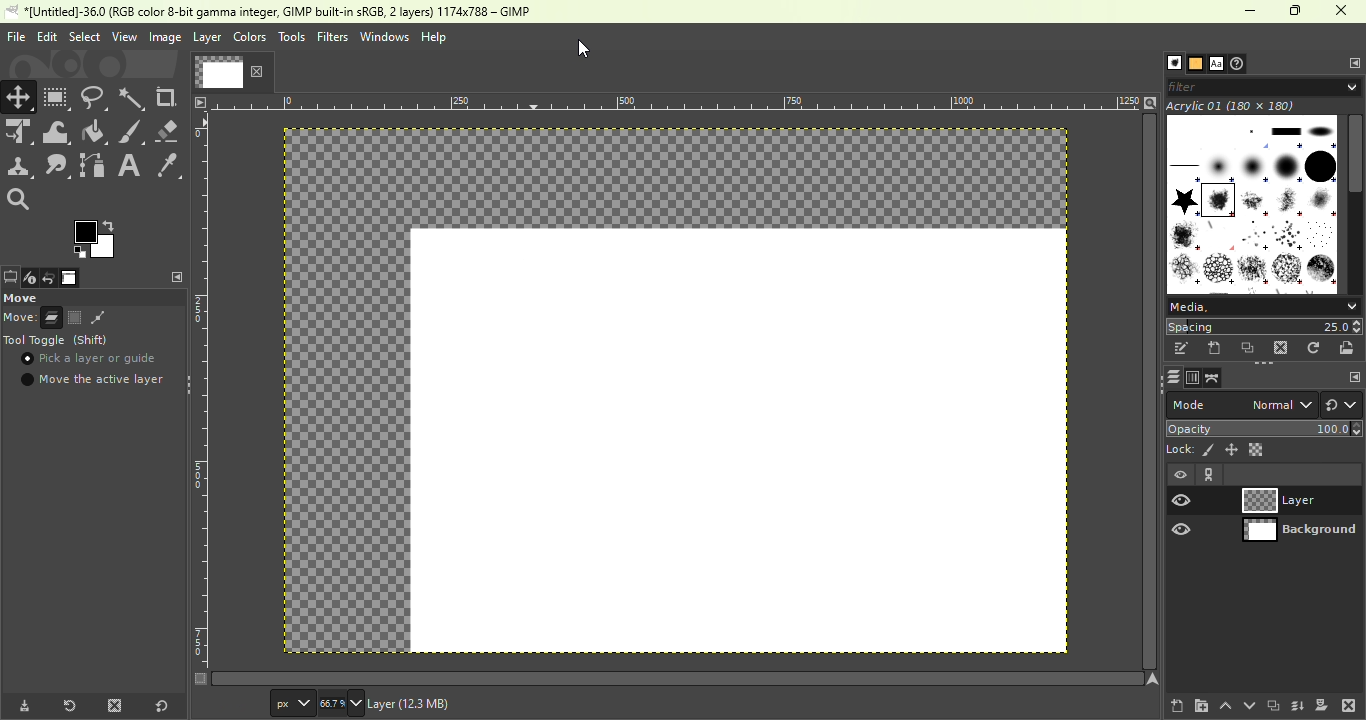 This screenshot has width=1366, height=720. Describe the element at coordinates (95, 96) in the screenshot. I see `Free select tool` at that location.